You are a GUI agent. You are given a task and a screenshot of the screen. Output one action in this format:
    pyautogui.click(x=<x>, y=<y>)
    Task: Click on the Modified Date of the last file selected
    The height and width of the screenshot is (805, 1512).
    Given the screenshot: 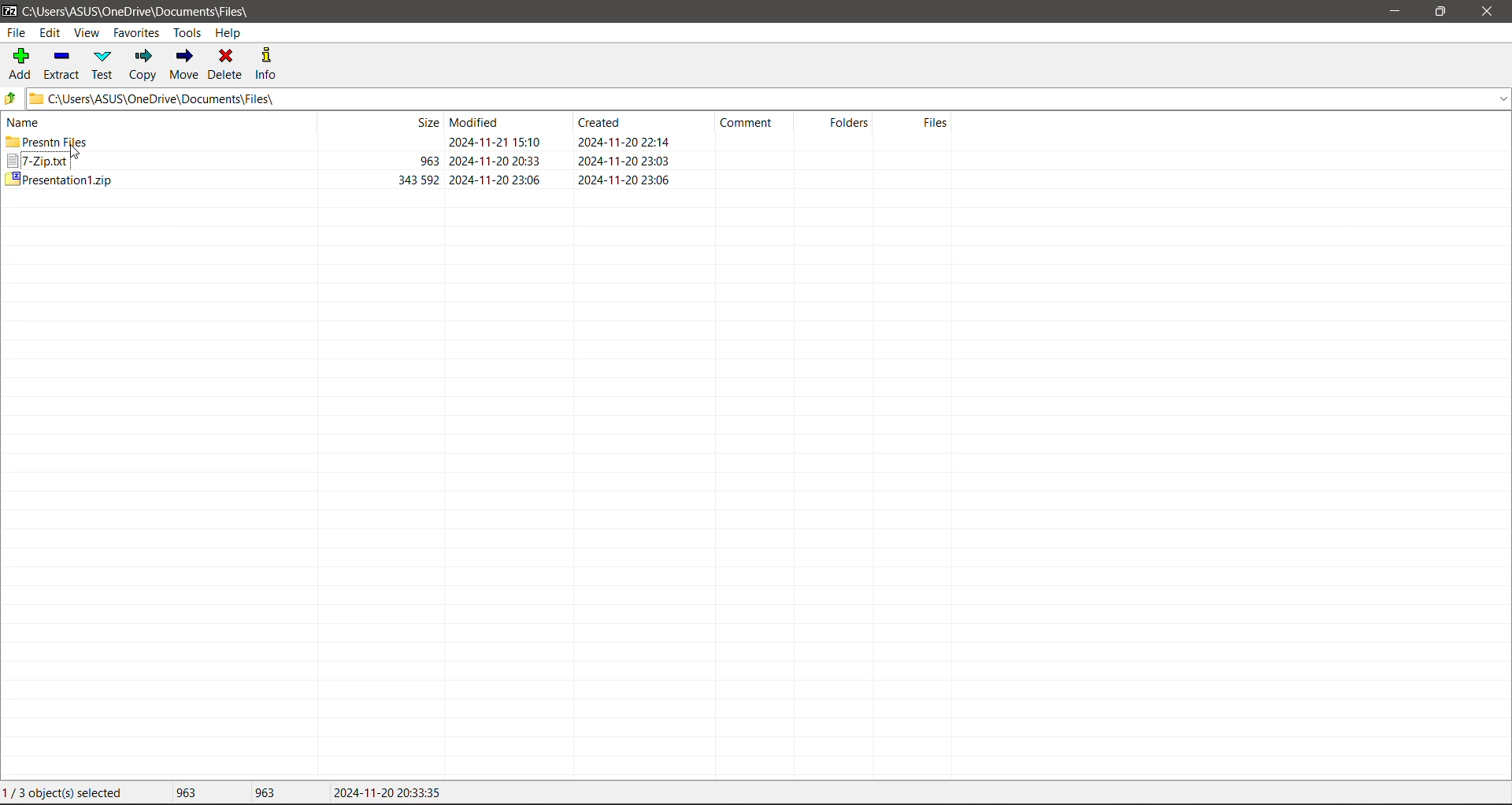 What is the action you would take?
    pyautogui.click(x=387, y=793)
    